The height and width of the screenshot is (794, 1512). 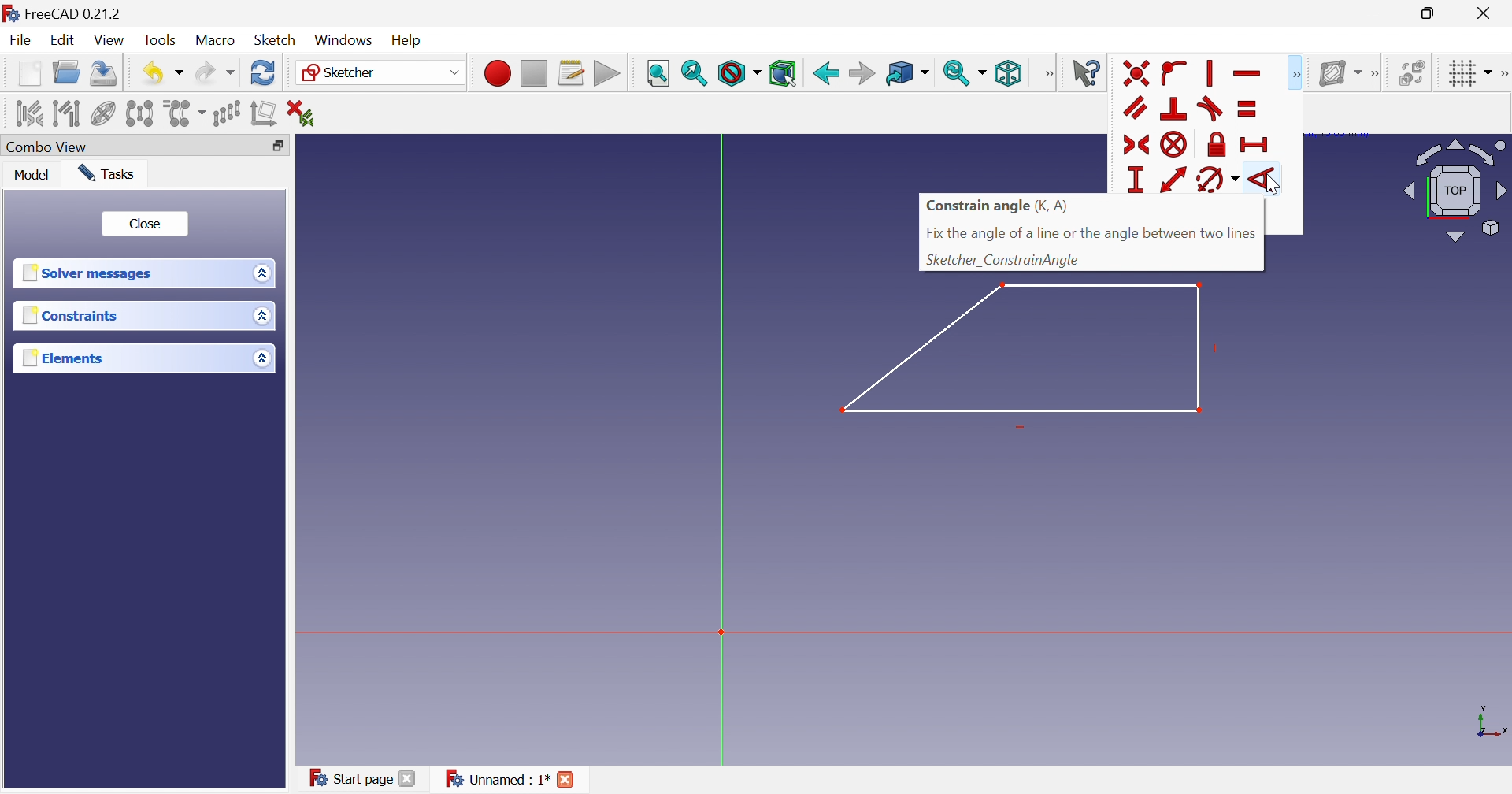 I want to click on Edit, so click(x=64, y=41).